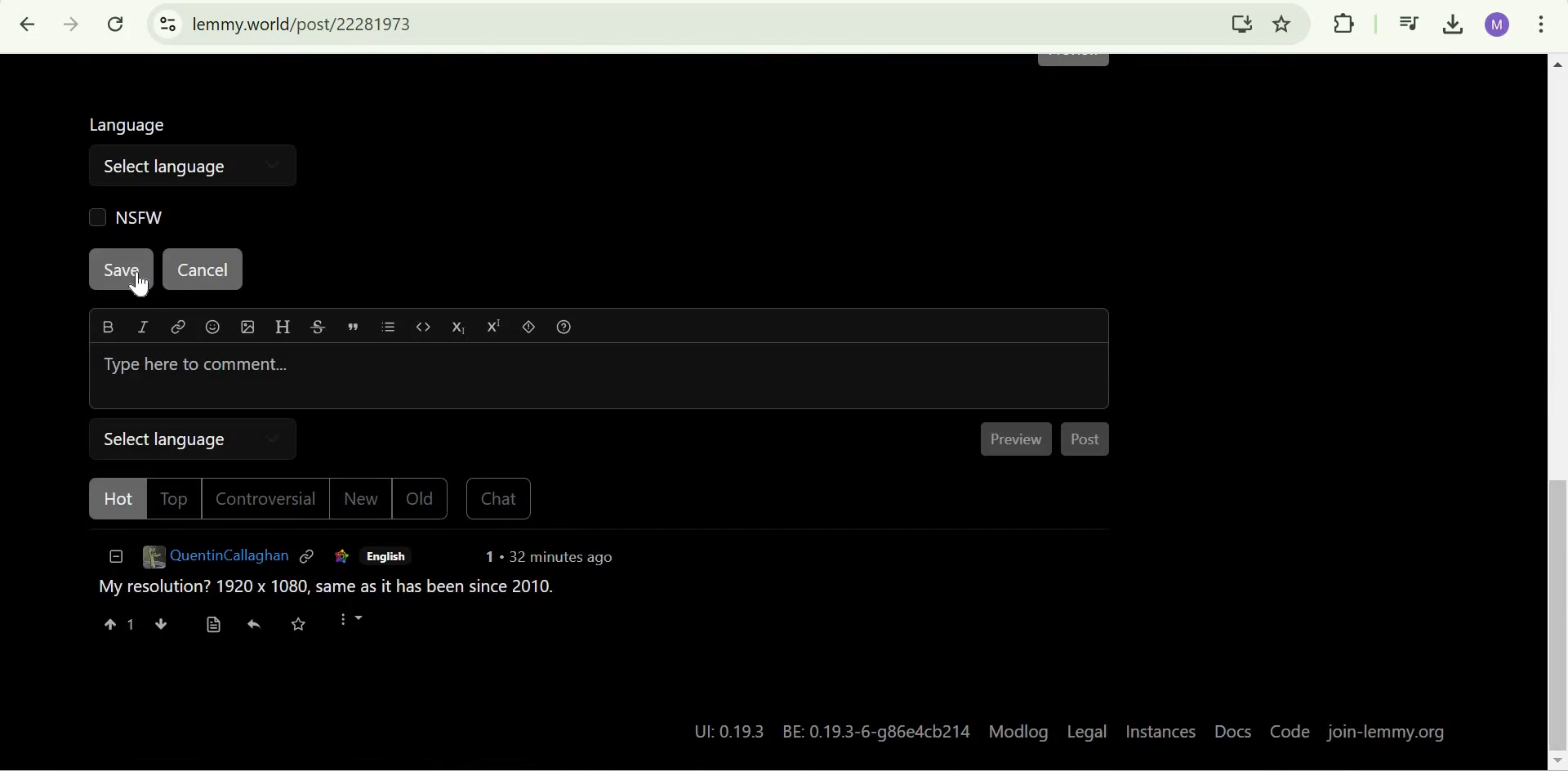 The image size is (1568, 771). Describe the element at coordinates (165, 165) in the screenshot. I see `Select language` at that location.